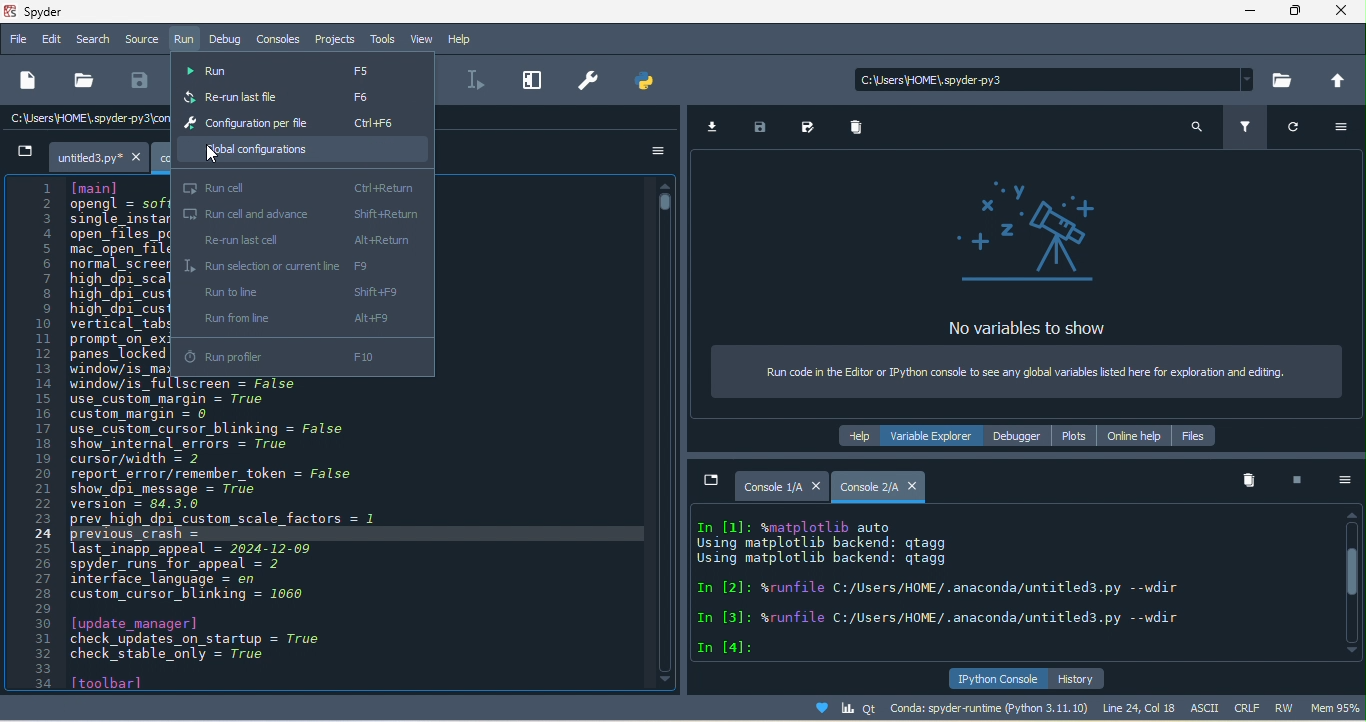 This screenshot has width=1366, height=722. I want to click on console 2/a, so click(878, 486).